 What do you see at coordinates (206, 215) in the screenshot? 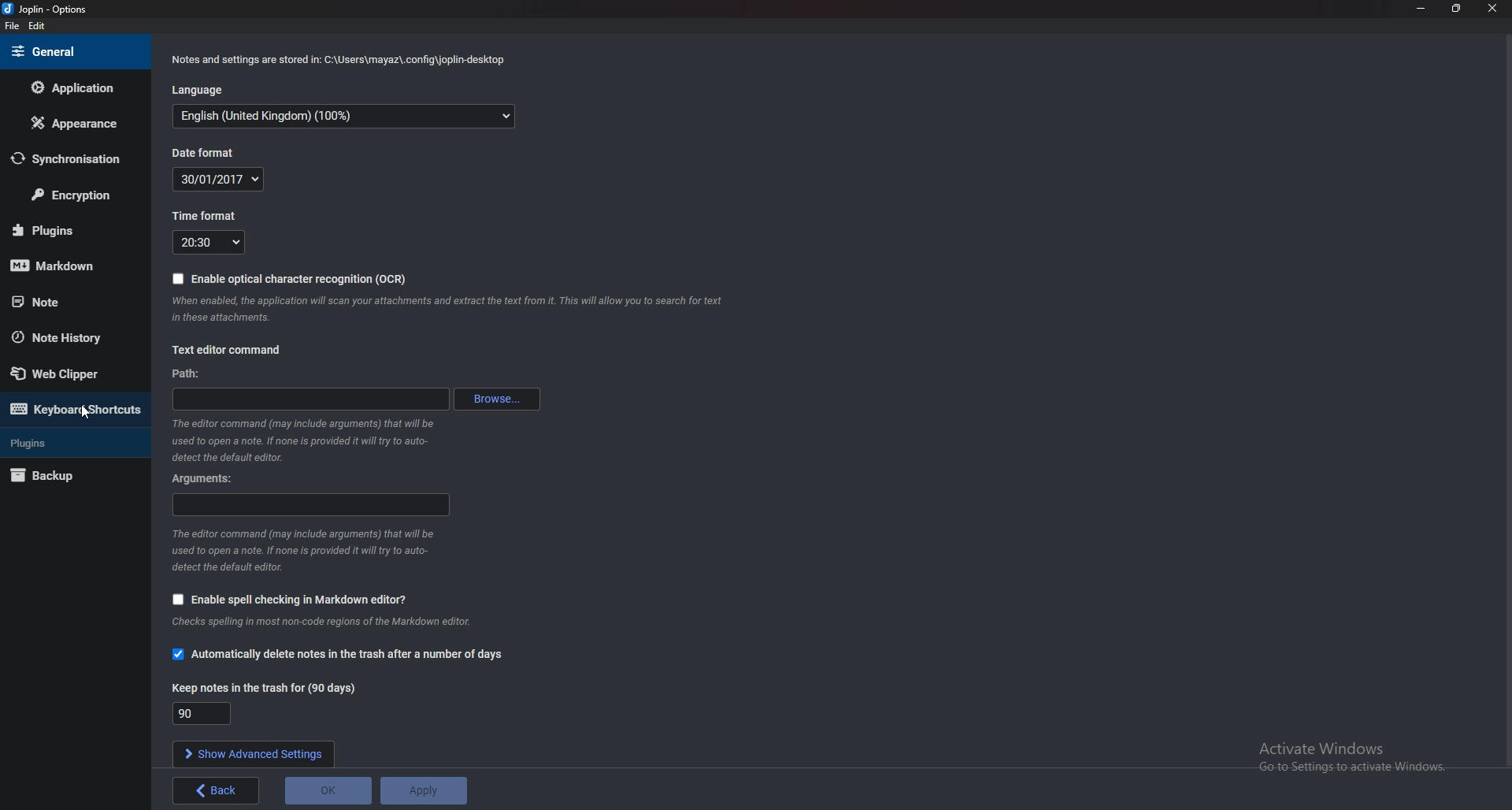
I see `Time format` at bounding box center [206, 215].